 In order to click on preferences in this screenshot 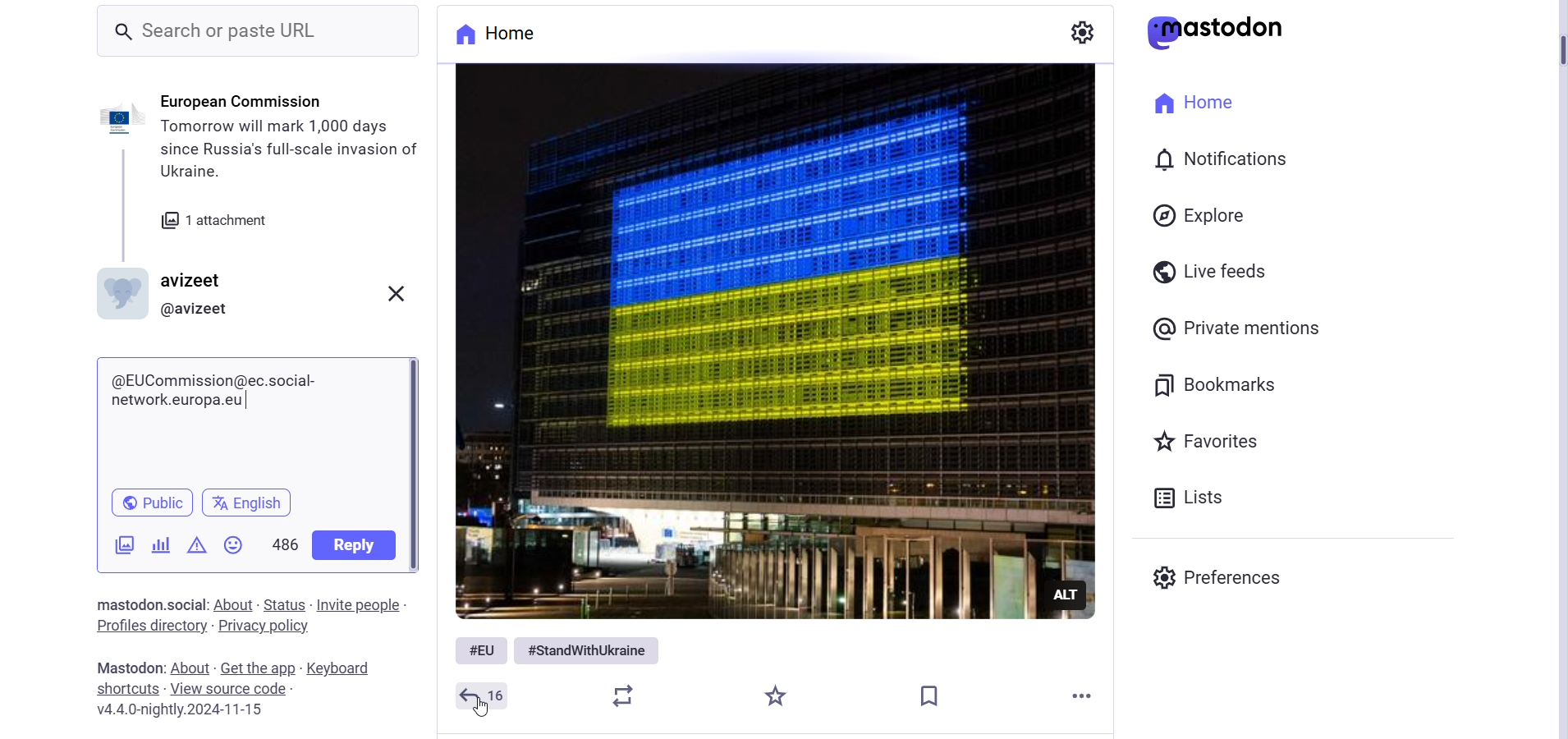, I will do `click(1216, 579)`.